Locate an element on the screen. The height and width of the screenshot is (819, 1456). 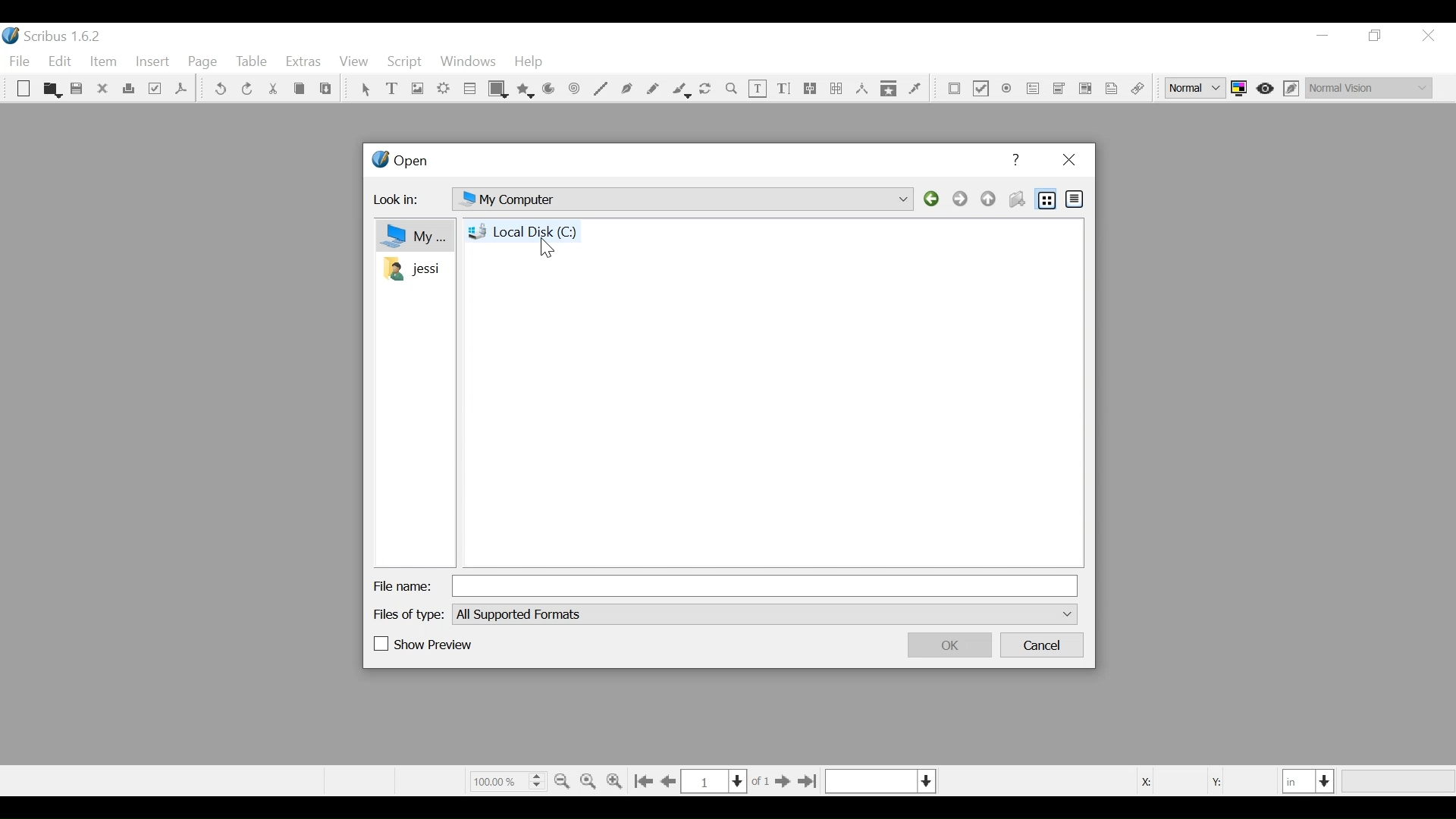
undo is located at coordinates (221, 89).